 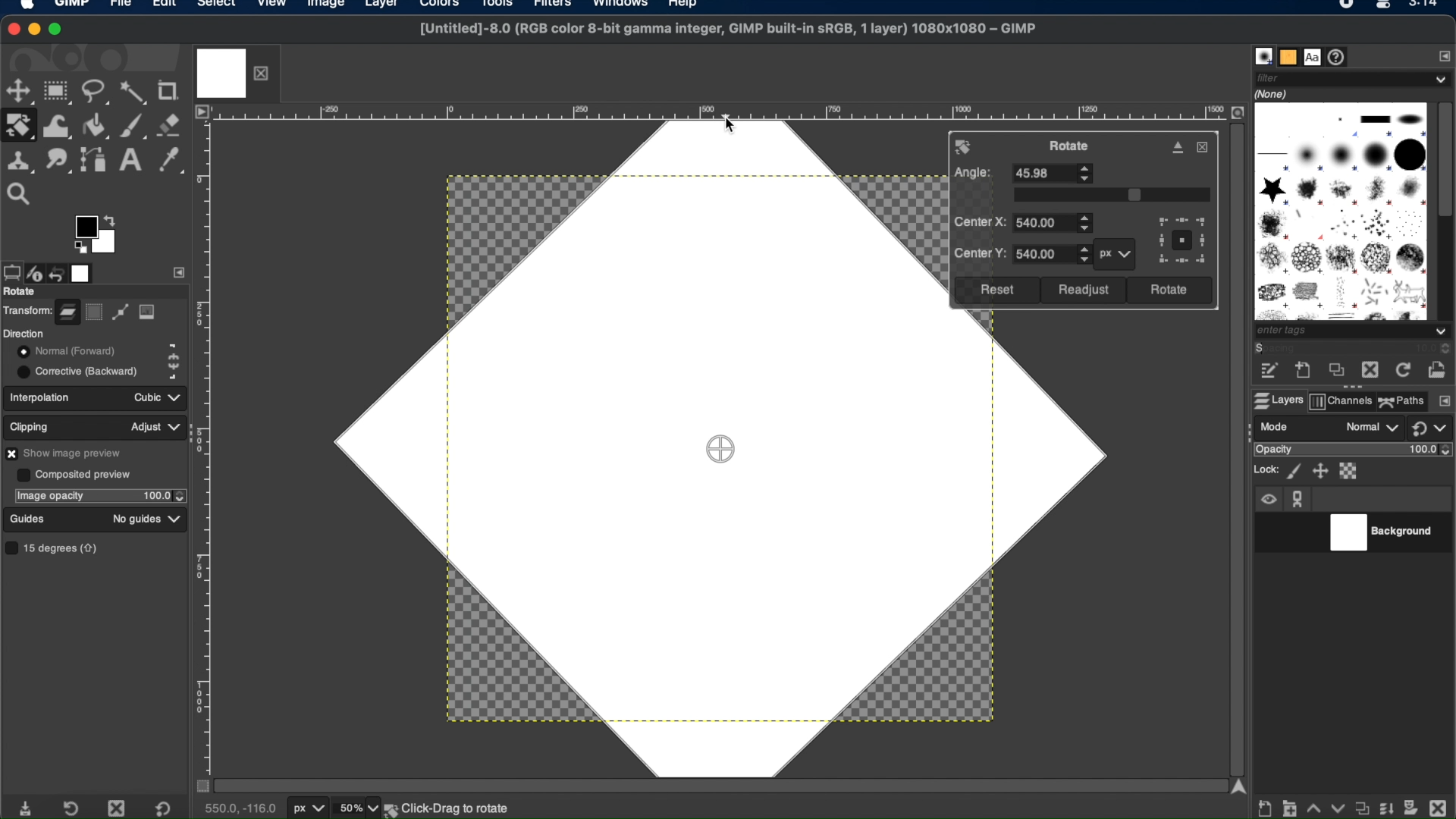 What do you see at coordinates (1237, 113) in the screenshot?
I see `zoom image when window size changes` at bounding box center [1237, 113].